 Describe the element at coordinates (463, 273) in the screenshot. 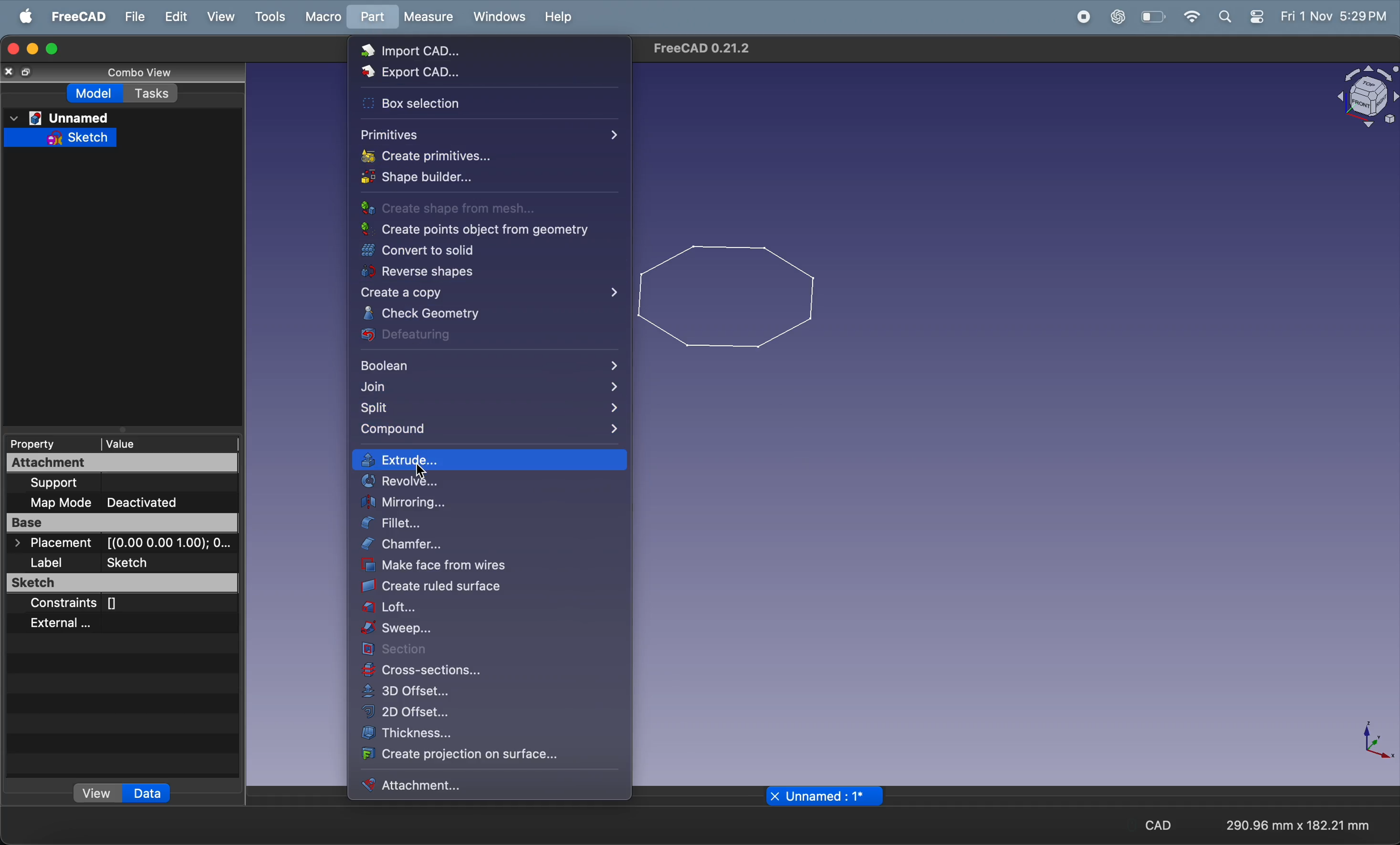

I see `reverse shapes` at that location.